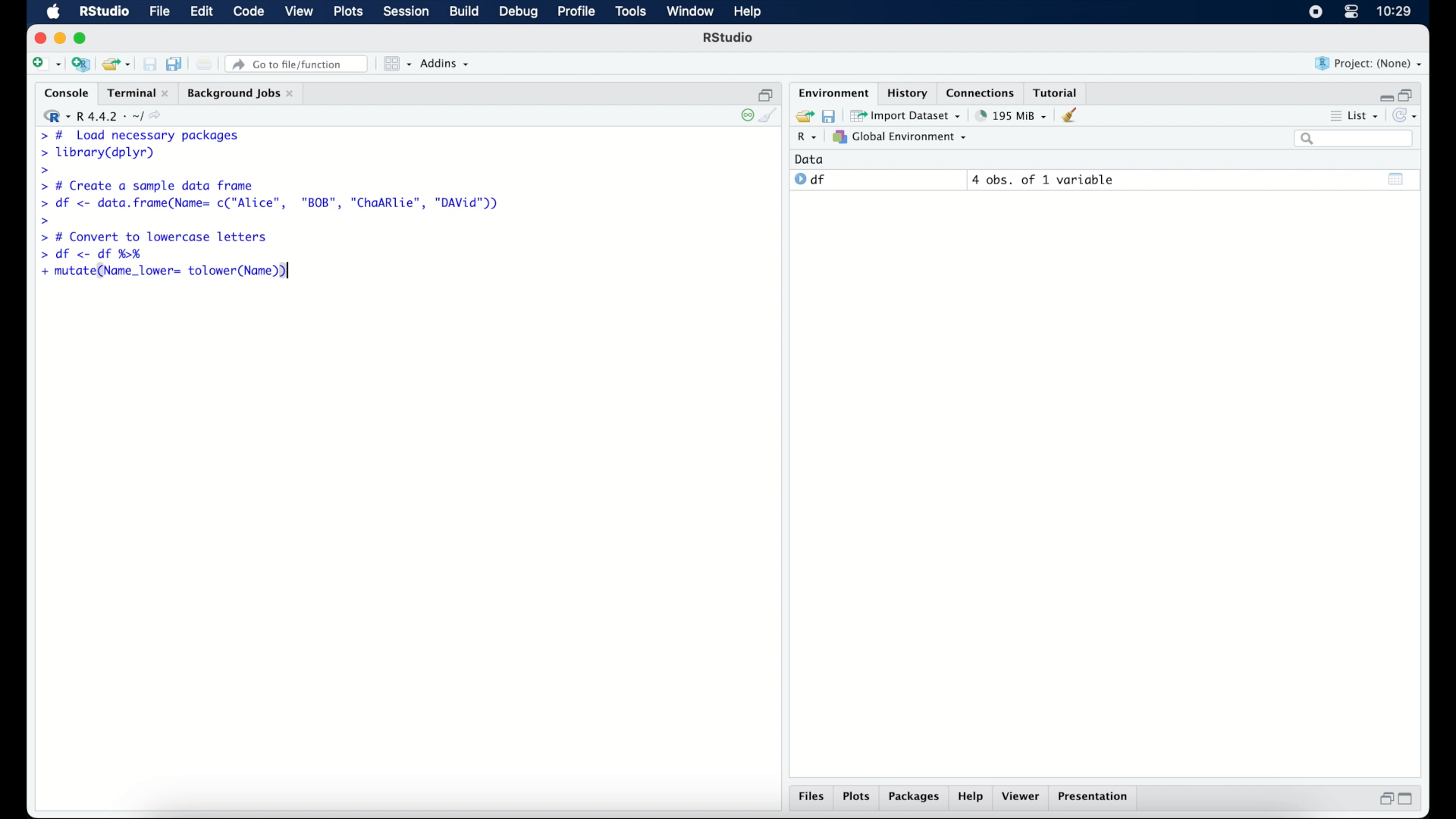 The width and height of the screenshot is (1456, 819). Describe the element at coordinates (205, 64) in the screenshot. I see `print` at that location.